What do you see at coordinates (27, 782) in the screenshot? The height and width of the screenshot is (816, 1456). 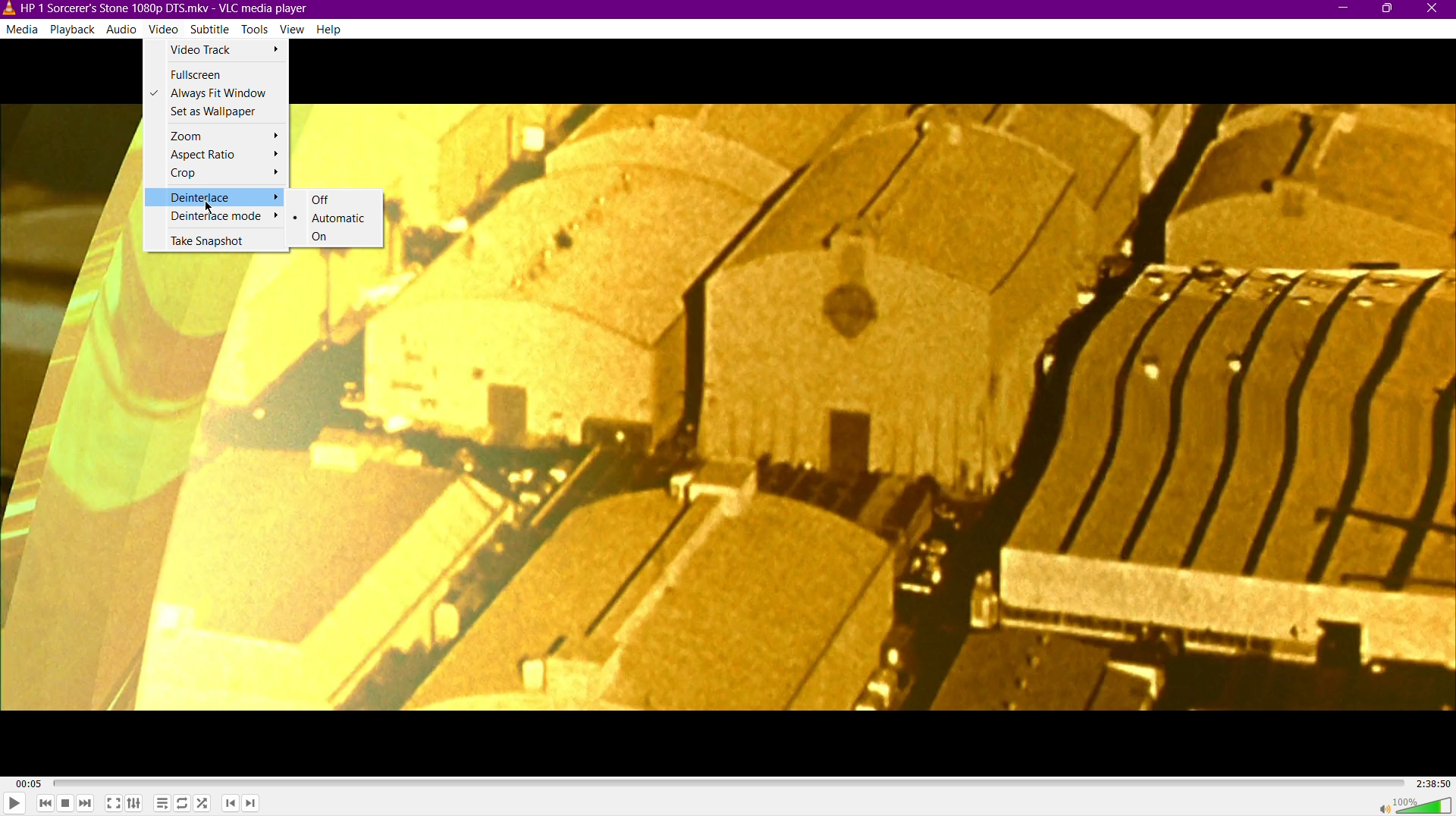 I see `00:05` at bounding box center [27, 782].